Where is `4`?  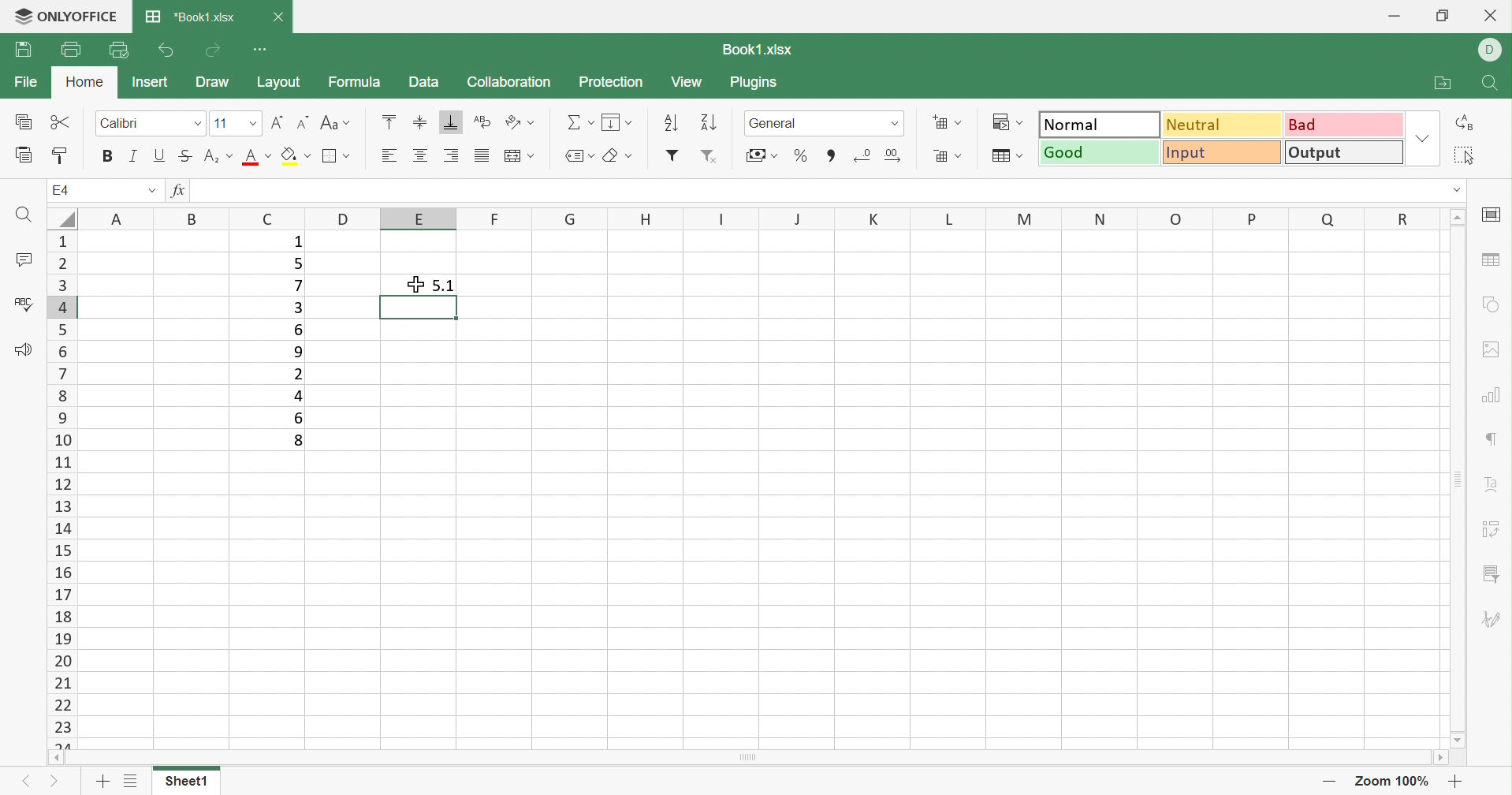
4 is located at coordinates (296, 397).